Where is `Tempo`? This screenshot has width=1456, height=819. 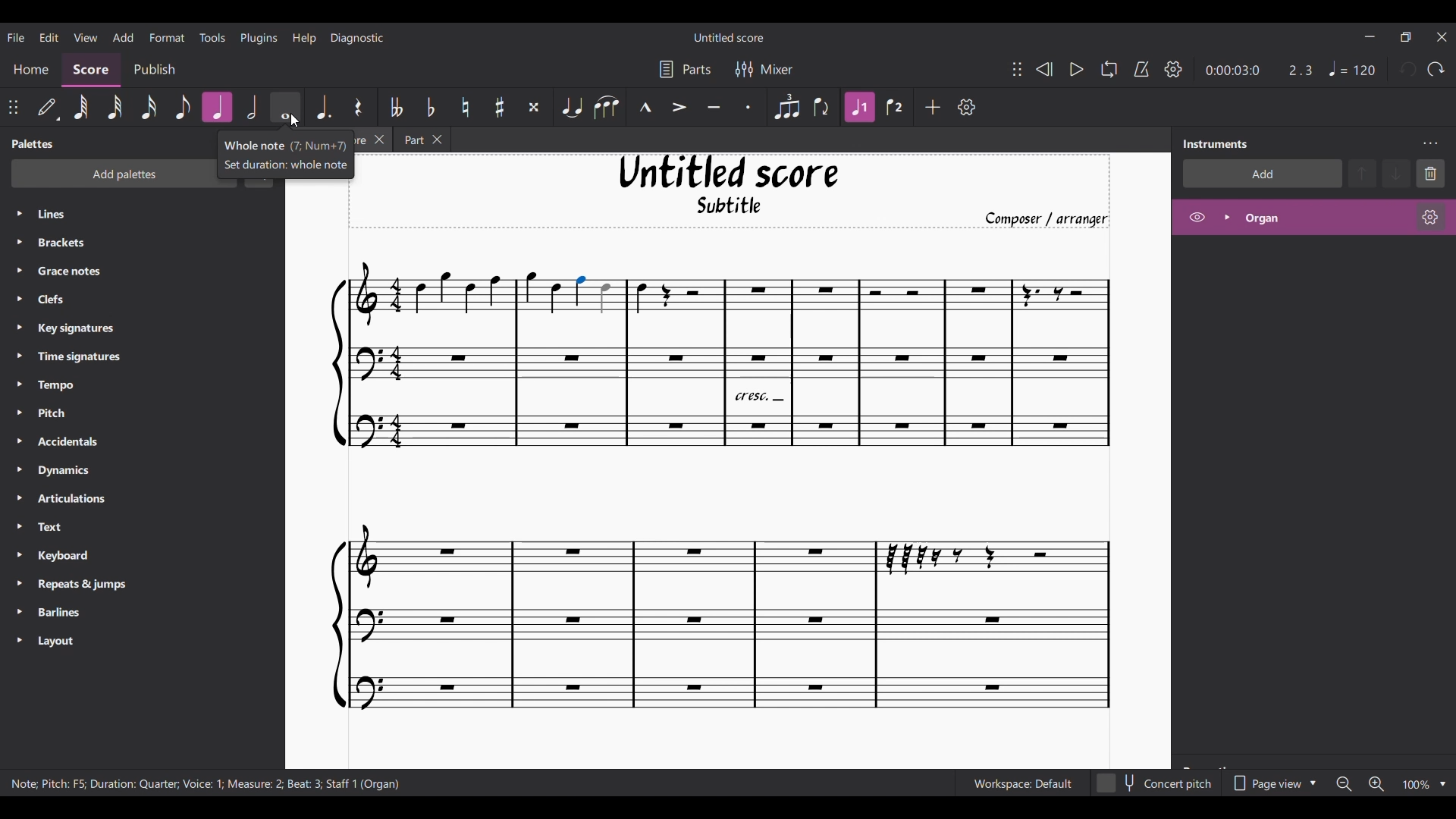
Tempo is located at coordinates (1352, 68).